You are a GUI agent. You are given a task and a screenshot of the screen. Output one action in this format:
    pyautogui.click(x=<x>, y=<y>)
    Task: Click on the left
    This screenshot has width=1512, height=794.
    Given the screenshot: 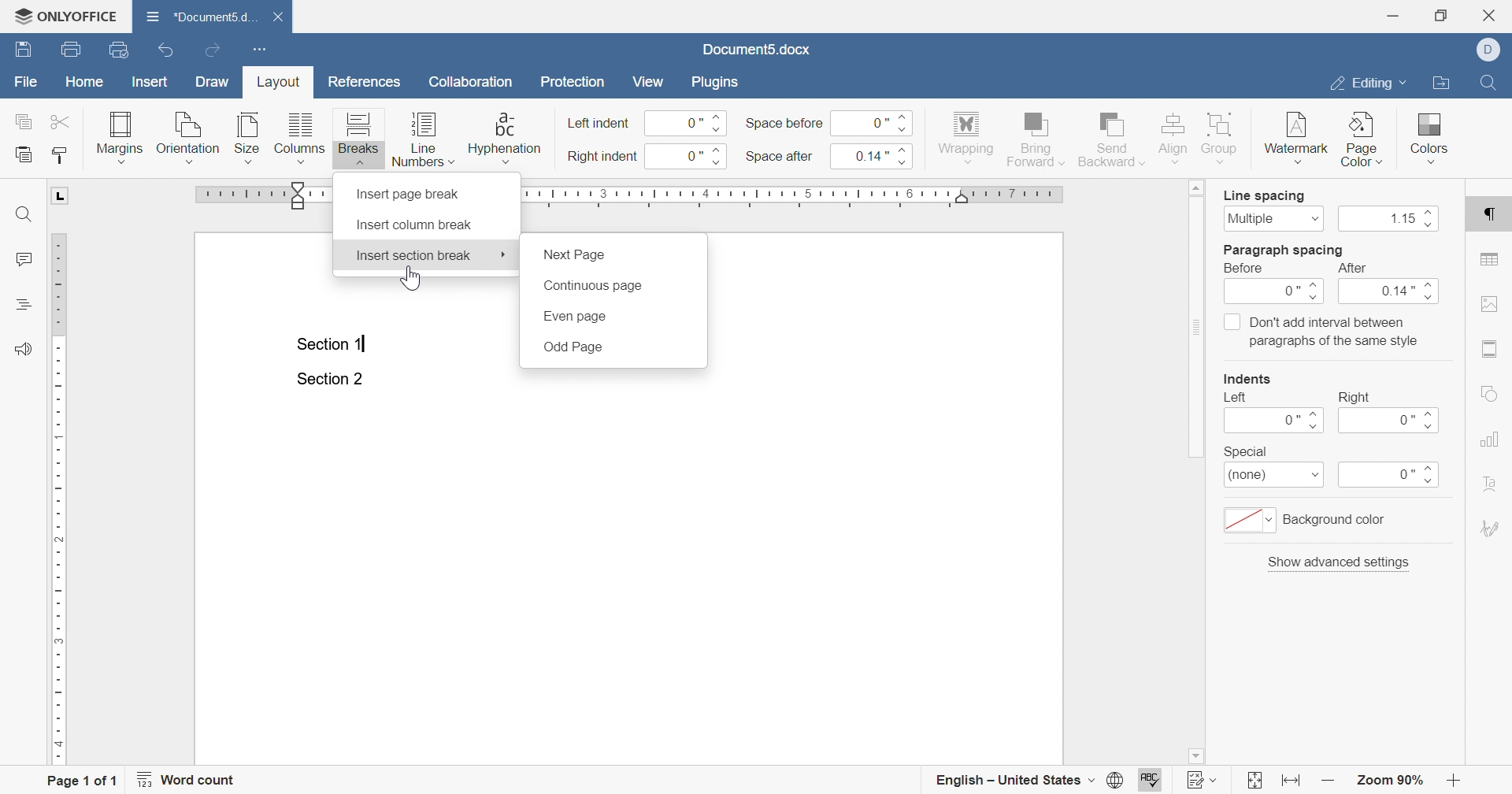 What is the action you would take?
    pyautogui.click(x=1236, y=398)
    